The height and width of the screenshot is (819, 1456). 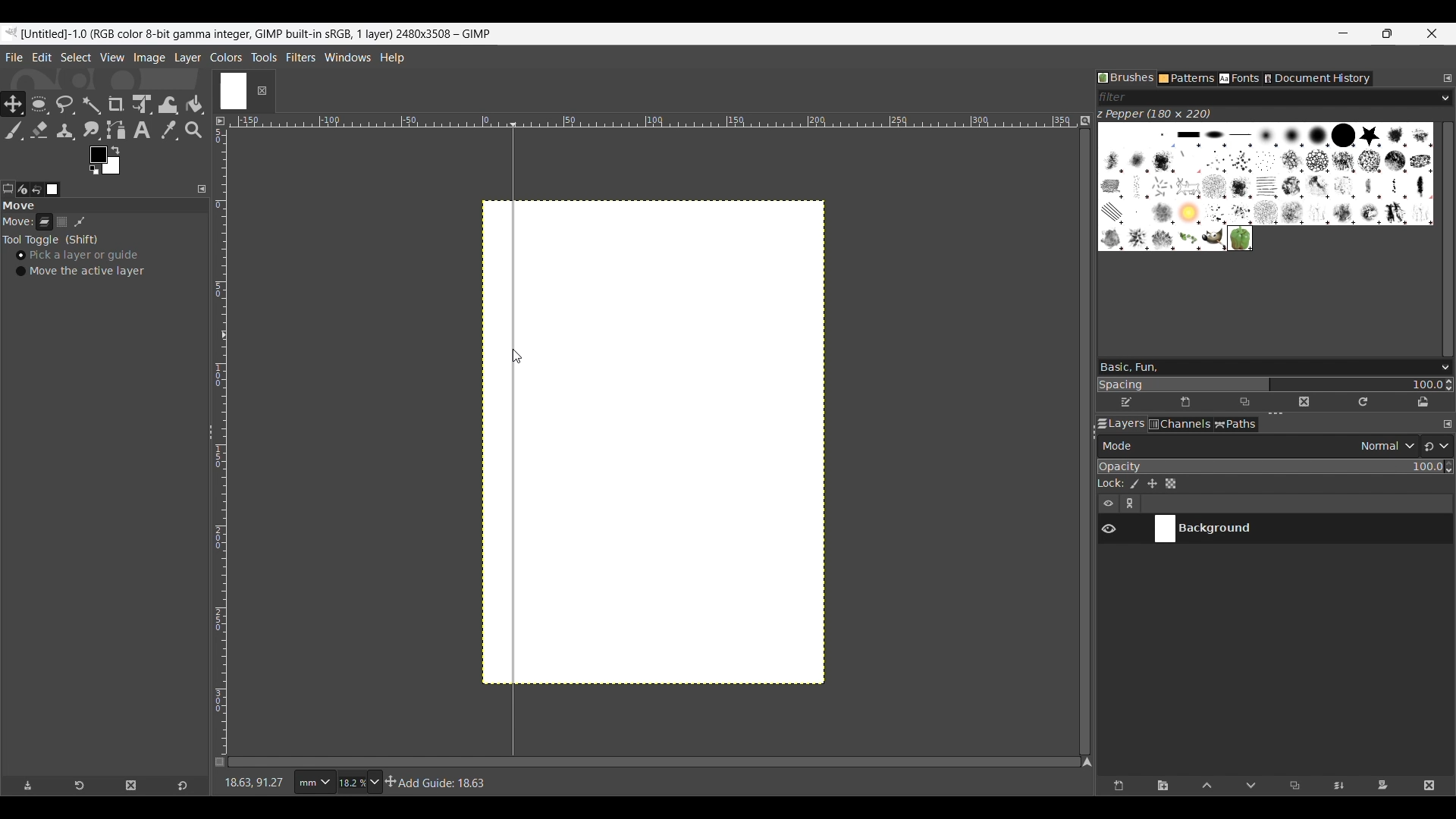 I want to click on Text tool, so click(x=143, y=130).